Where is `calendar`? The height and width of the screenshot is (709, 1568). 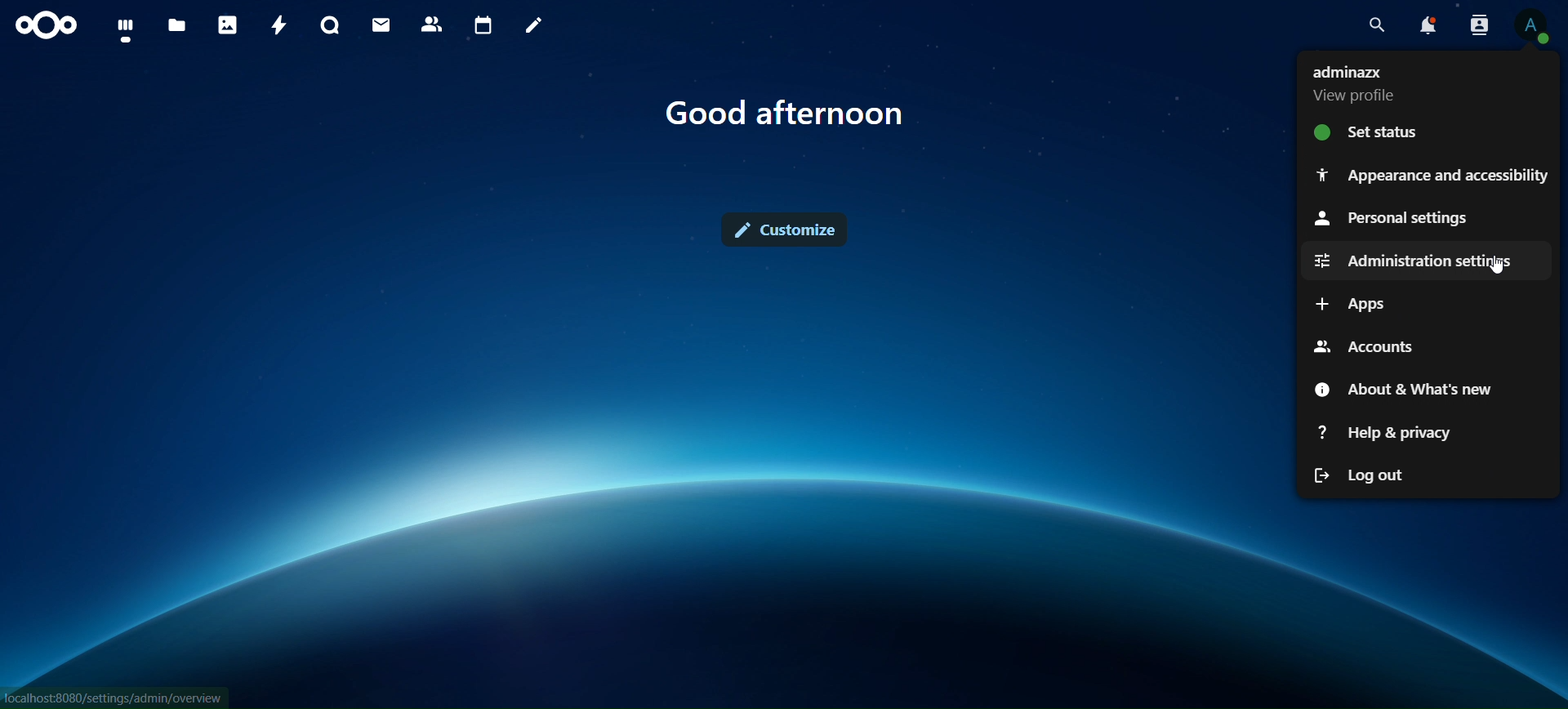 calendar is located at coordinates (483, 24).